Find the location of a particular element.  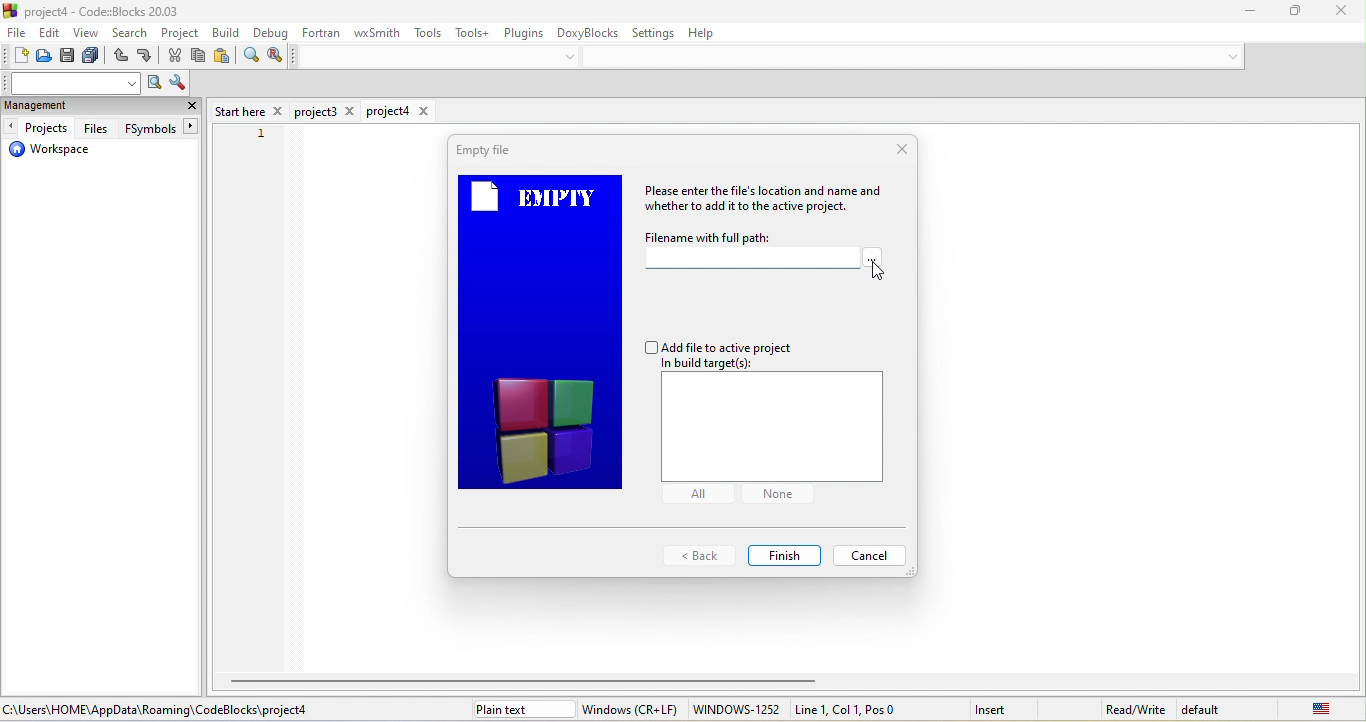

icon is located at coordinates (12, 10).